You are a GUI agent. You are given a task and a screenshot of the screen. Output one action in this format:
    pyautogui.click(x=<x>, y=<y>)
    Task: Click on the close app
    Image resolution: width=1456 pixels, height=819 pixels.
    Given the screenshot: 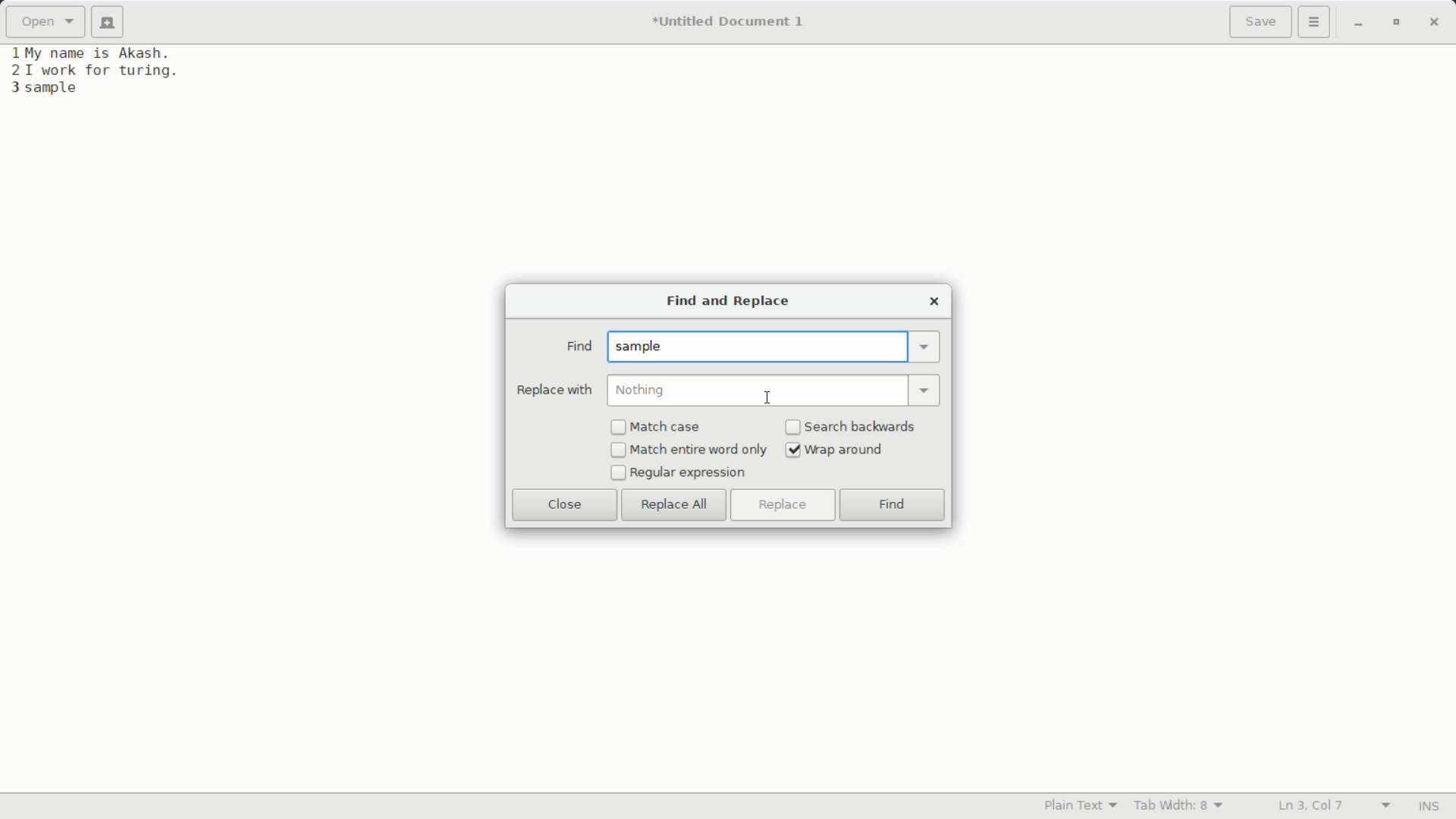 What is the action you would take?
    pyautogui.click(x=1434, y=22)
    